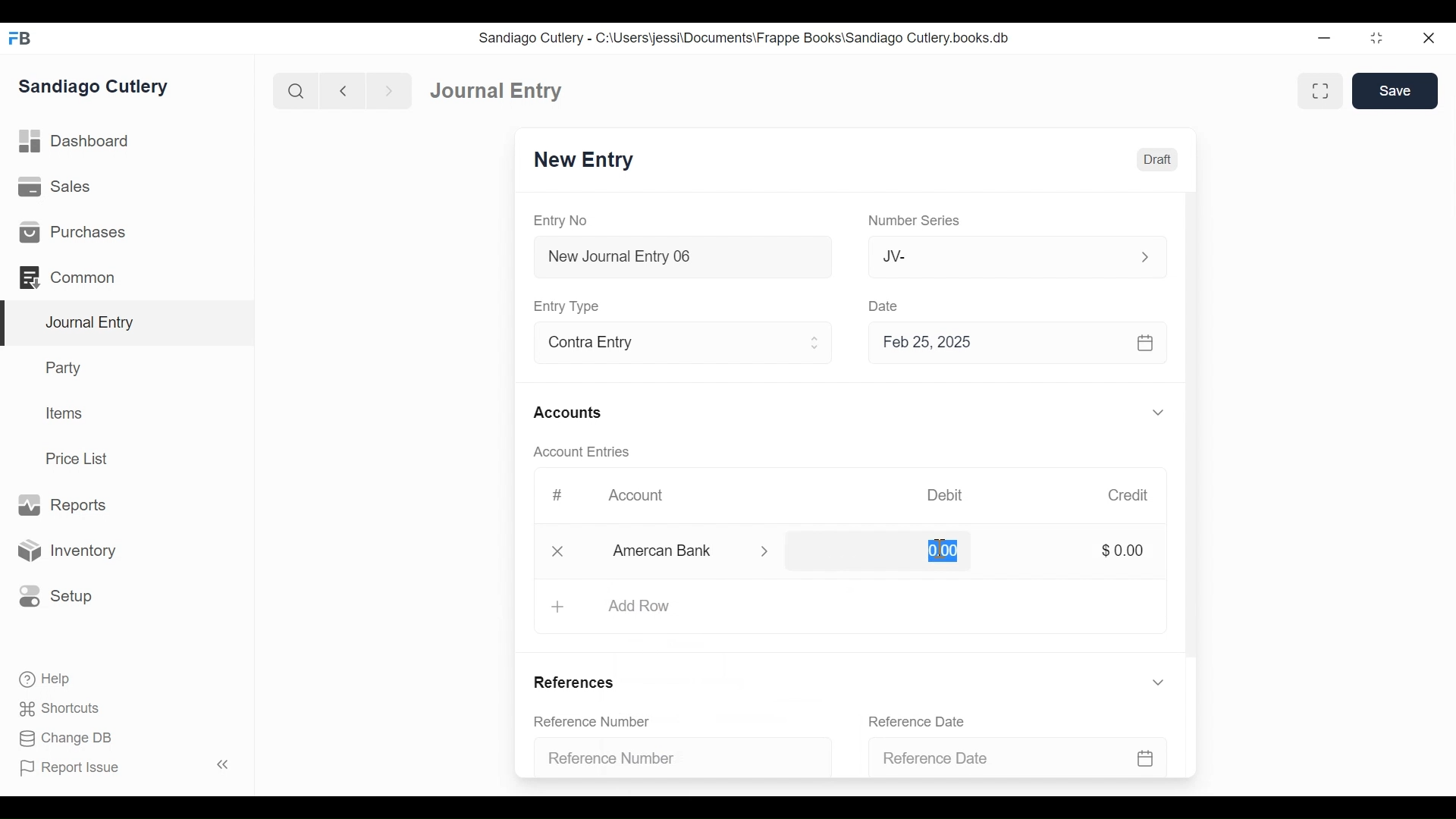  Describe the element at coordinates (1158, 682) in the screenshot. I see `Expand` at that location.